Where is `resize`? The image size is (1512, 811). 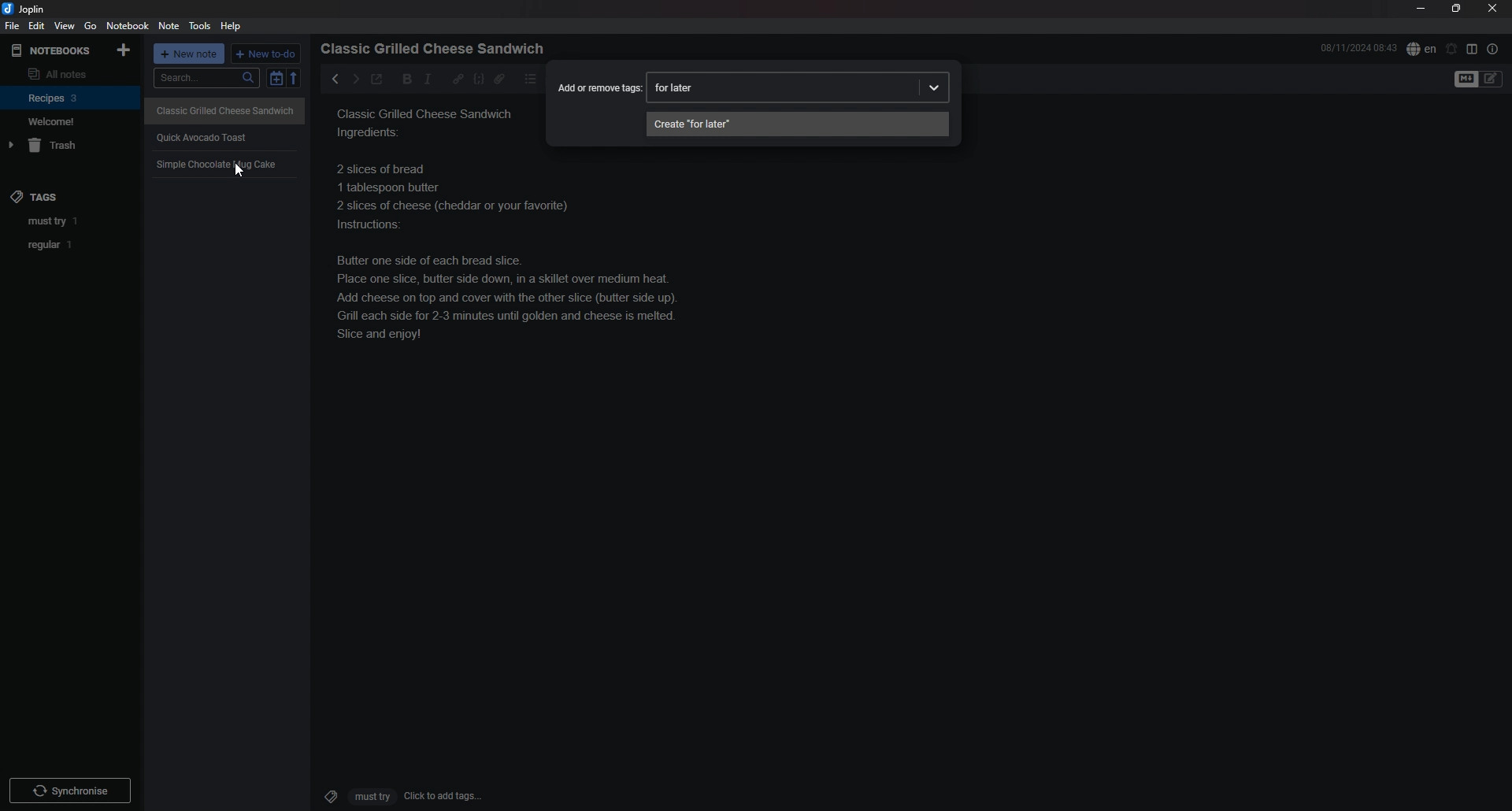 resize is located at coordinates (1456, 9).